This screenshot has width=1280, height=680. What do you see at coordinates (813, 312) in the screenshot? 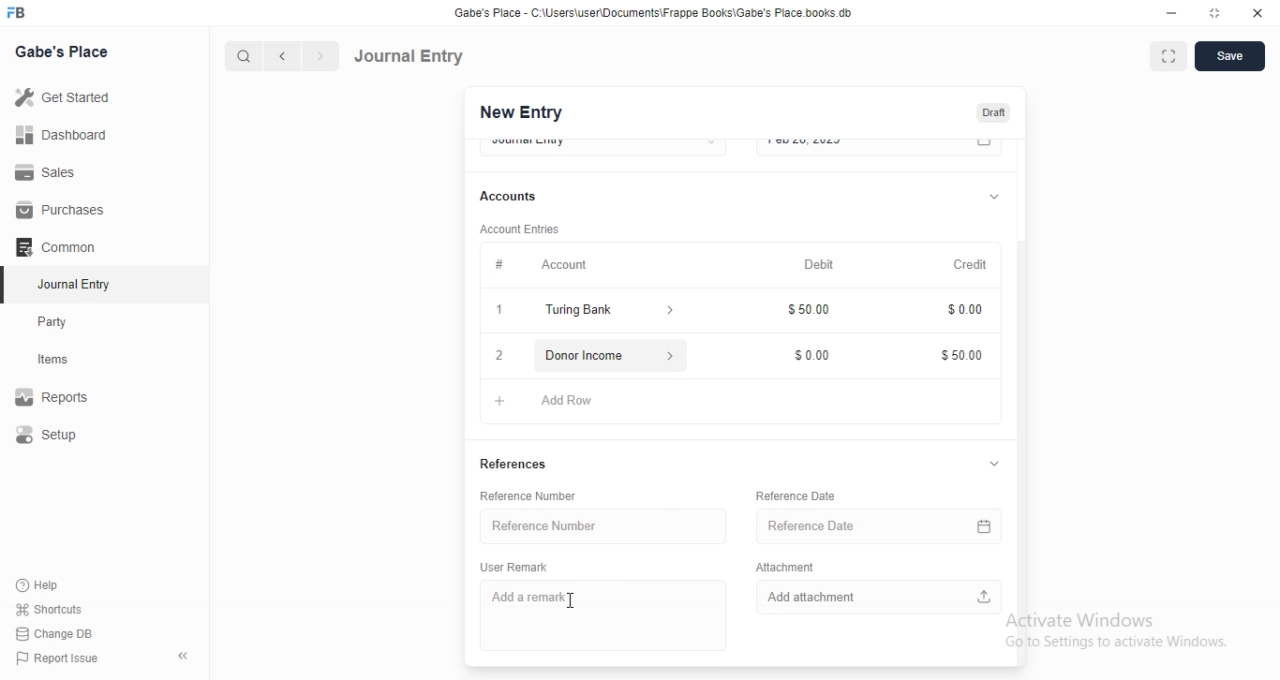
I see `$50.00` at bounding box center [813, 312].